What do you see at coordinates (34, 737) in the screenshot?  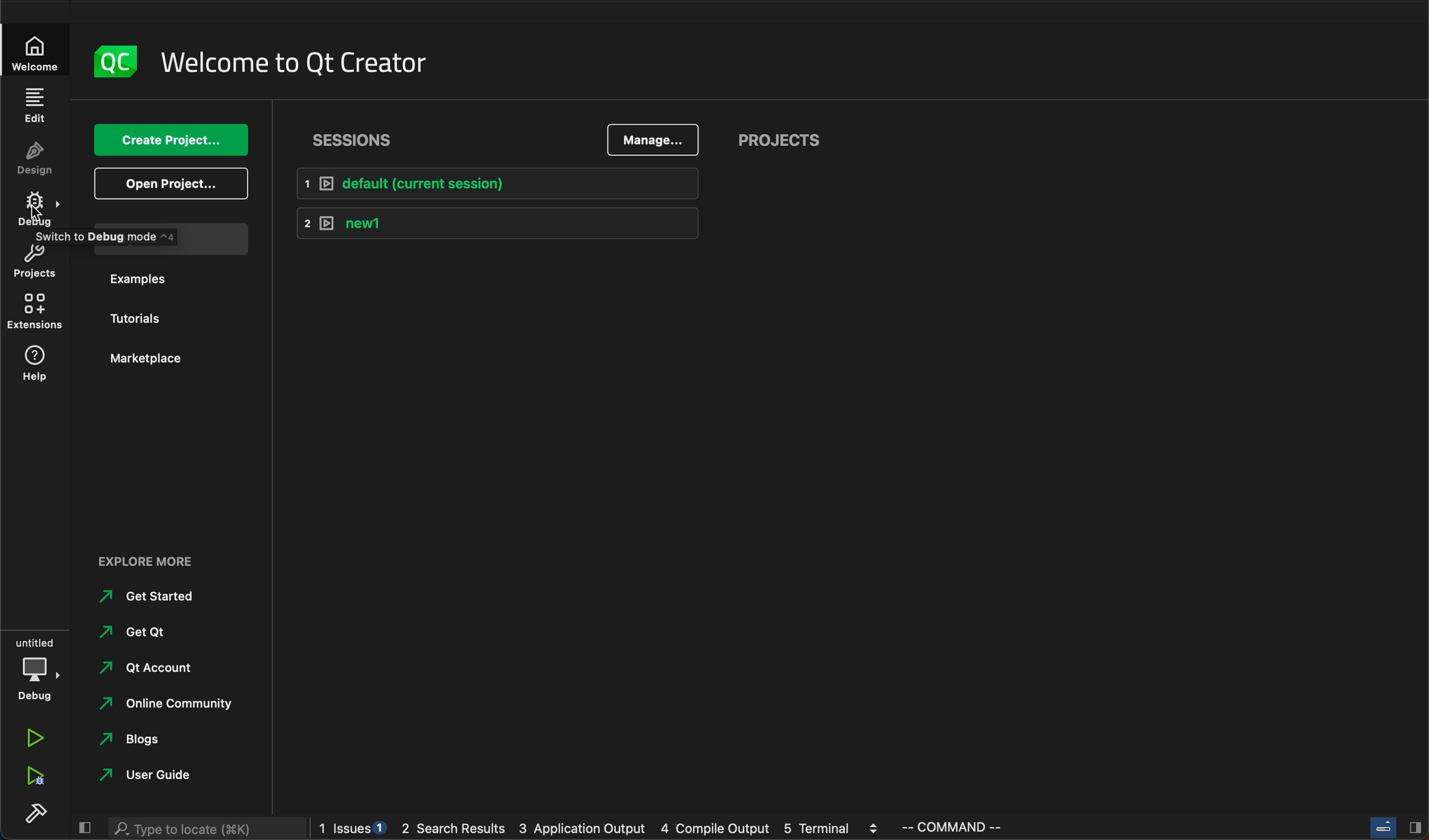 I see `run` at bounding box center [34, 737].